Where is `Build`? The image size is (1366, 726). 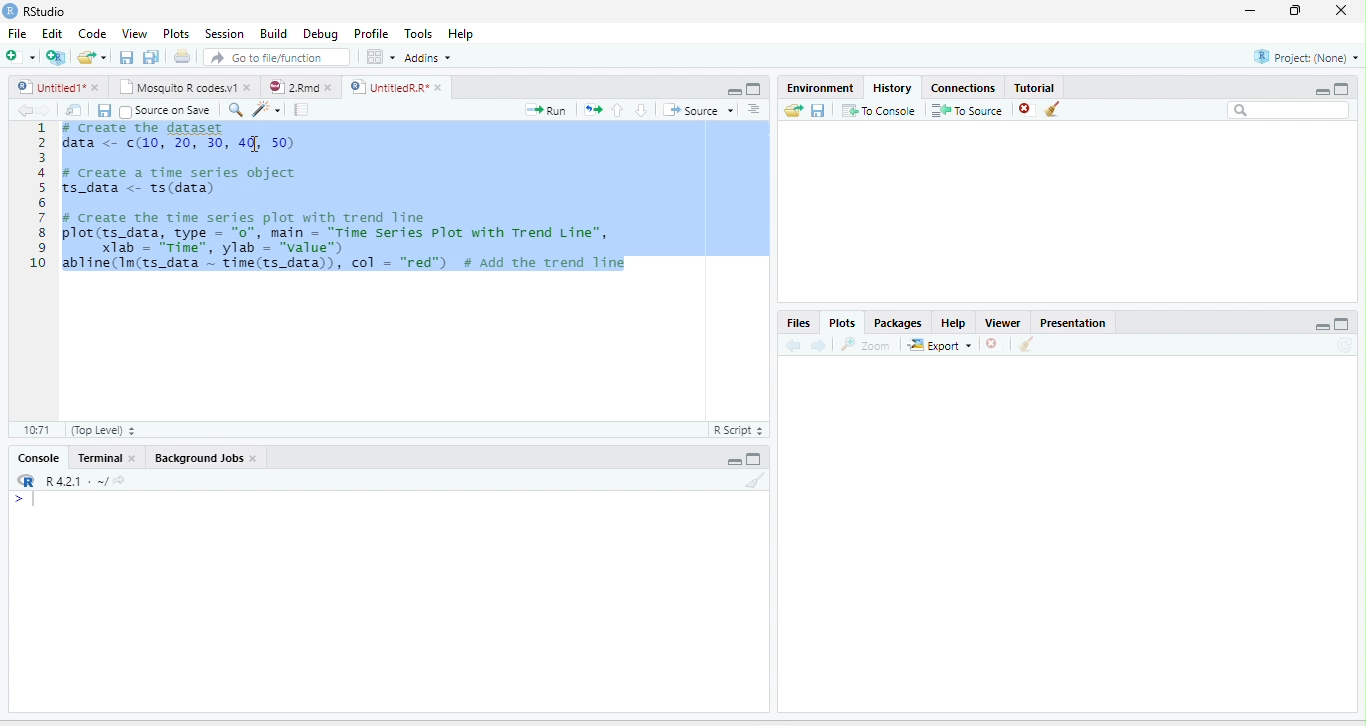 Build is located at coordinates (273, 33).